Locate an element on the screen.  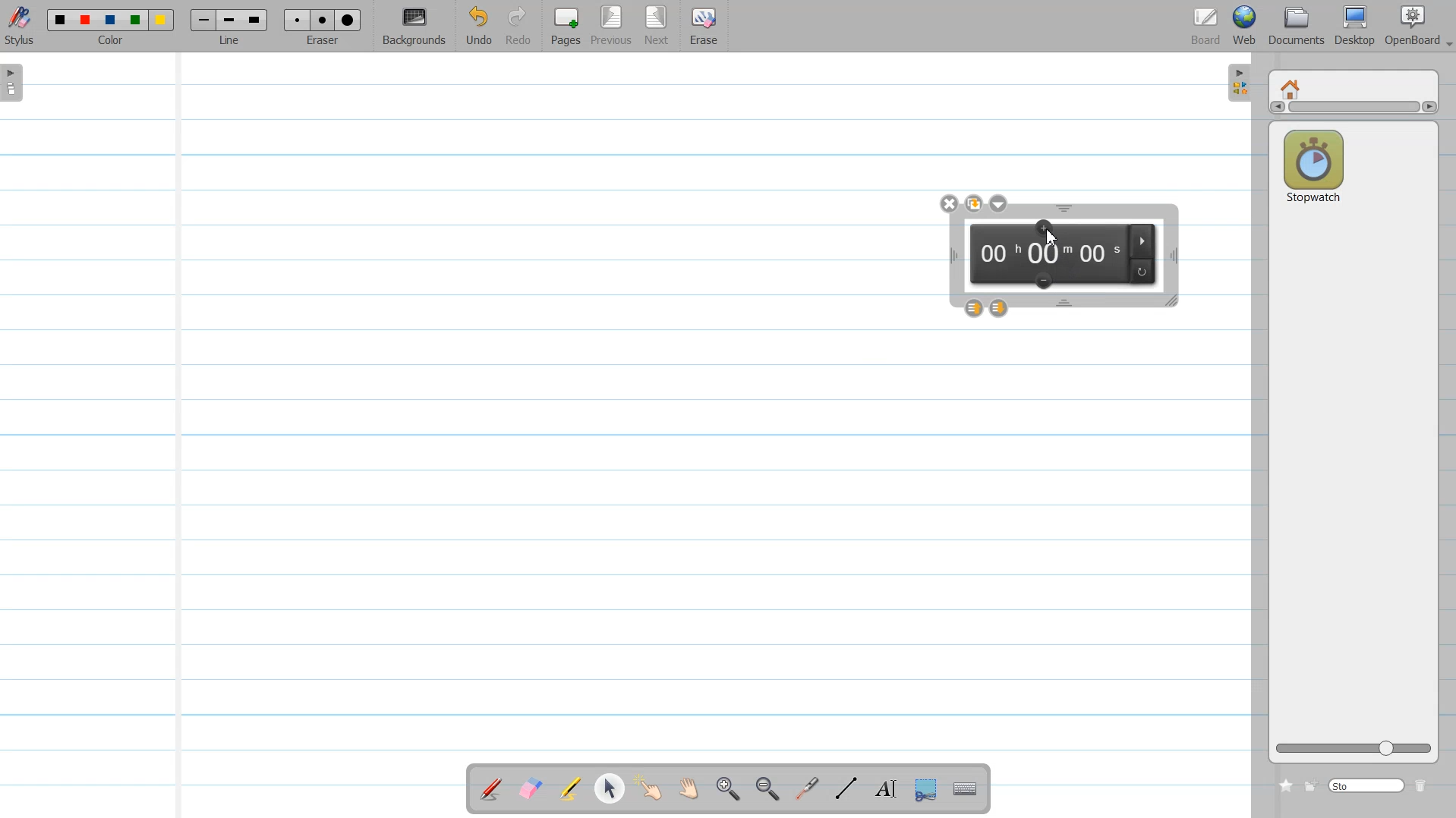
Virtual laser pointer is located at coordinates (807, 789).